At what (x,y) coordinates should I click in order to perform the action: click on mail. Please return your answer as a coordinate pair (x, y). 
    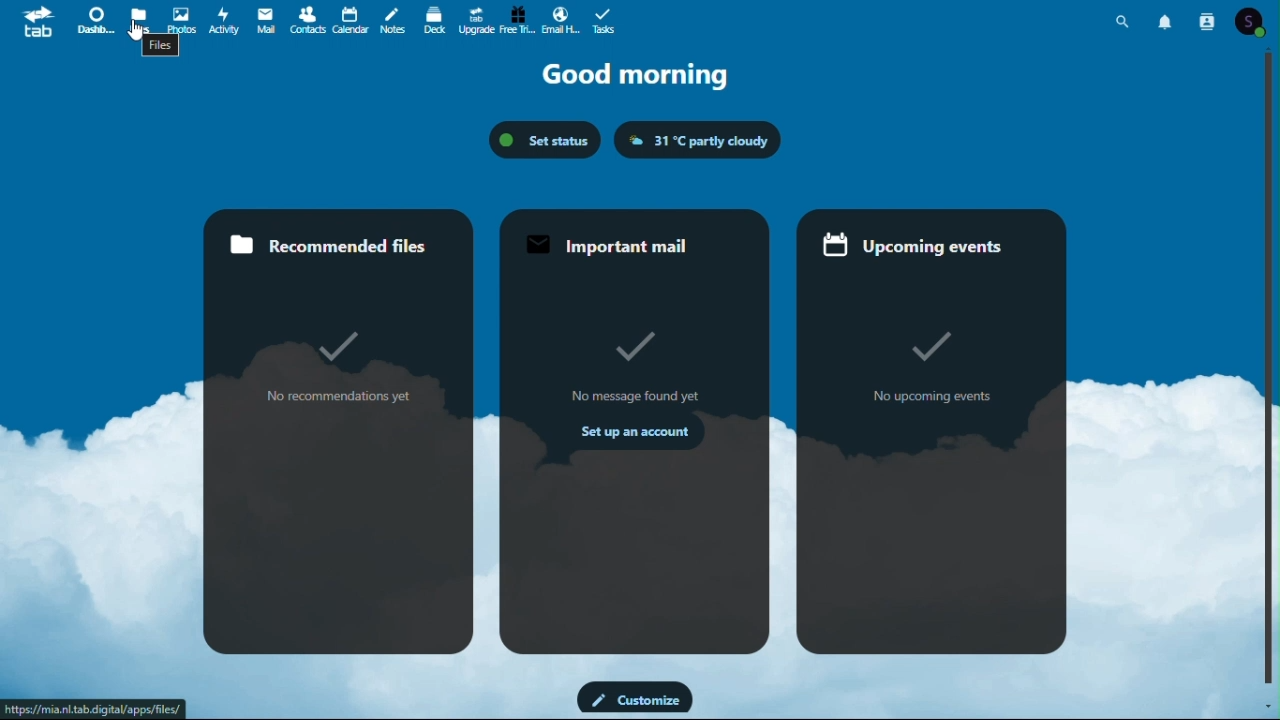
    Looking at the image, I should click on (268, 20).